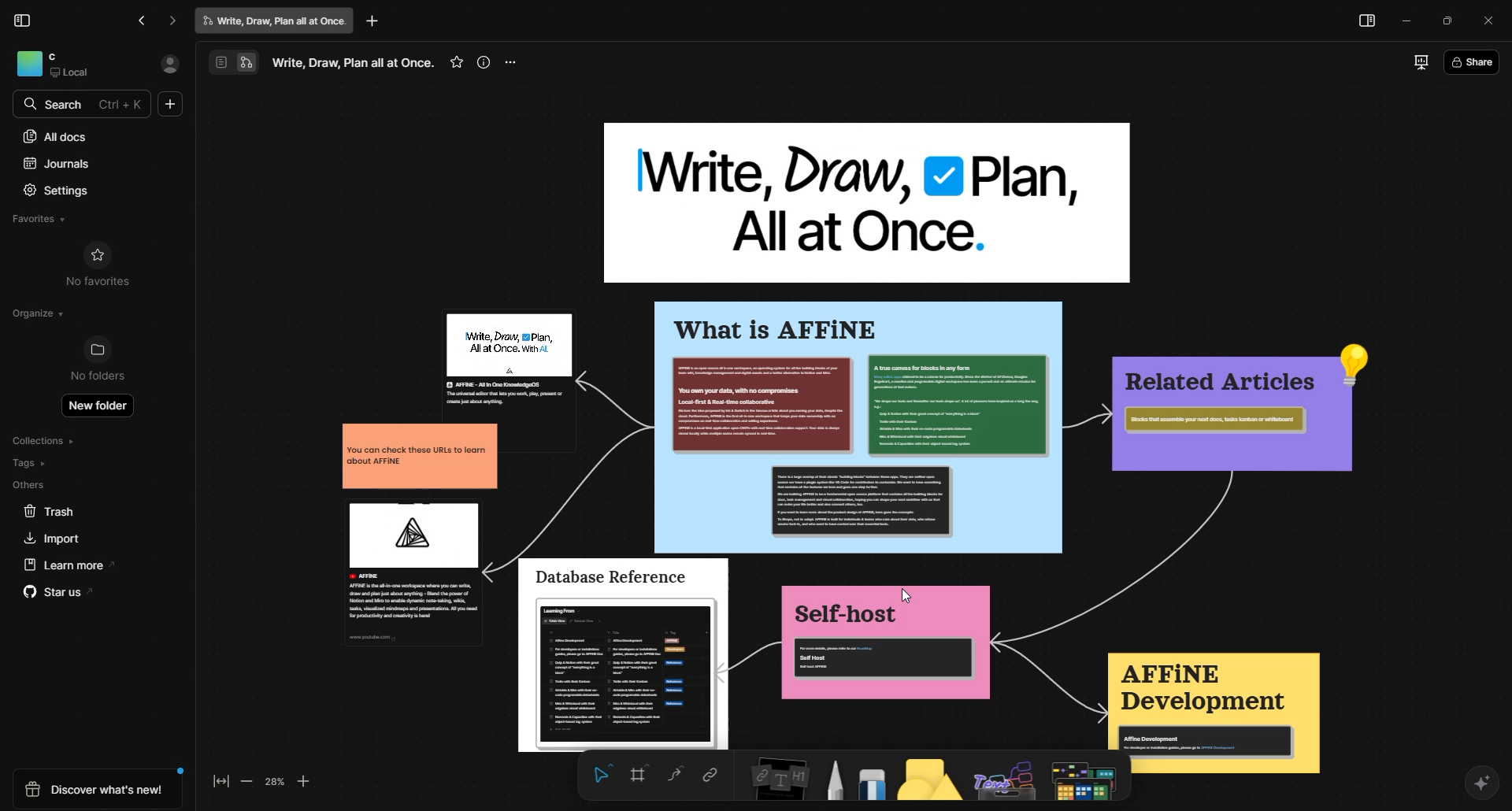 This screenshot has height=811, width=1512. Describe the element at coordinates (61, 189) in the screenshot. I see `settings` at that location.